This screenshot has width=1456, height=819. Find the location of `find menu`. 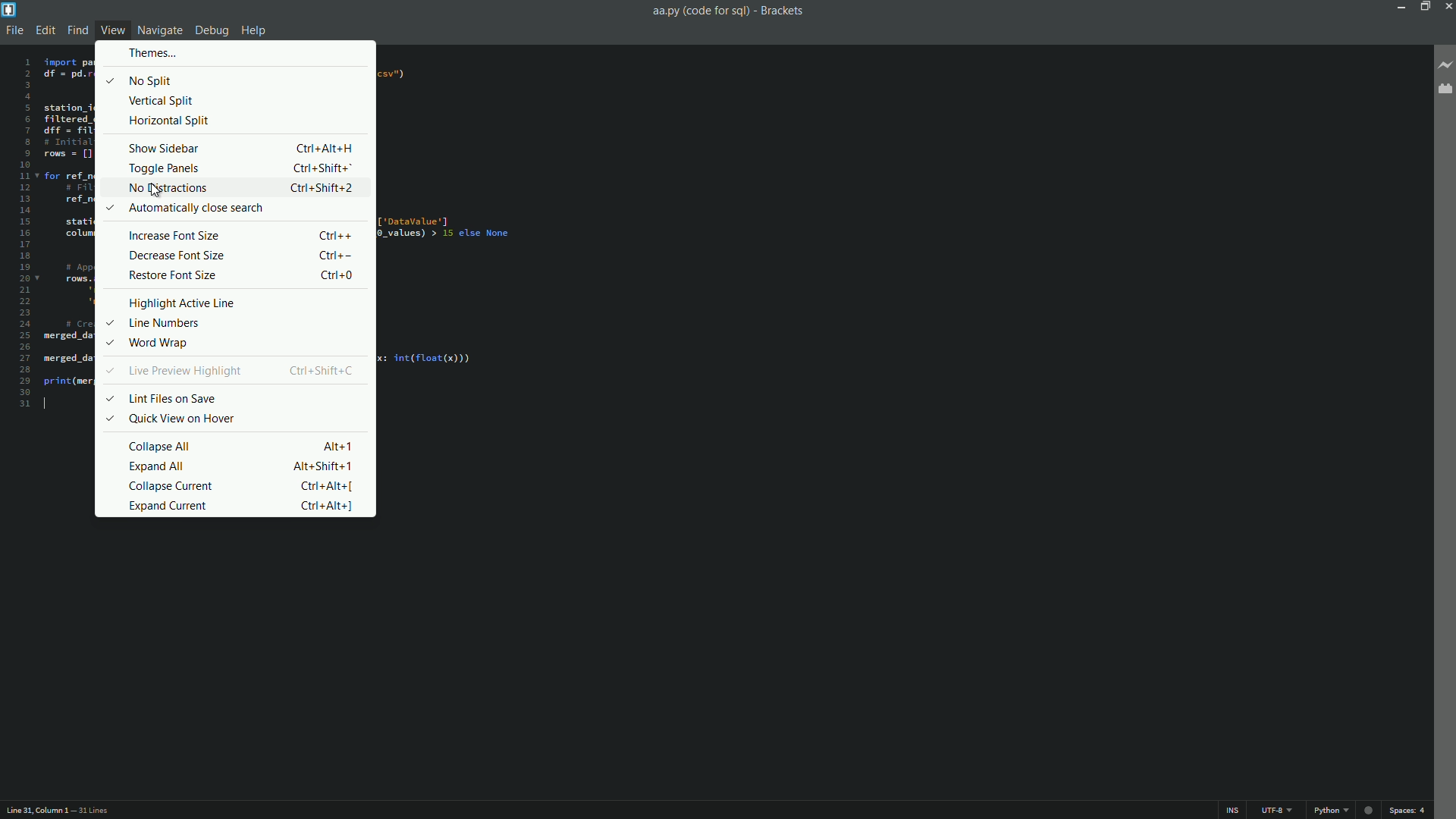

find menu is located at coordinates (76, 30).